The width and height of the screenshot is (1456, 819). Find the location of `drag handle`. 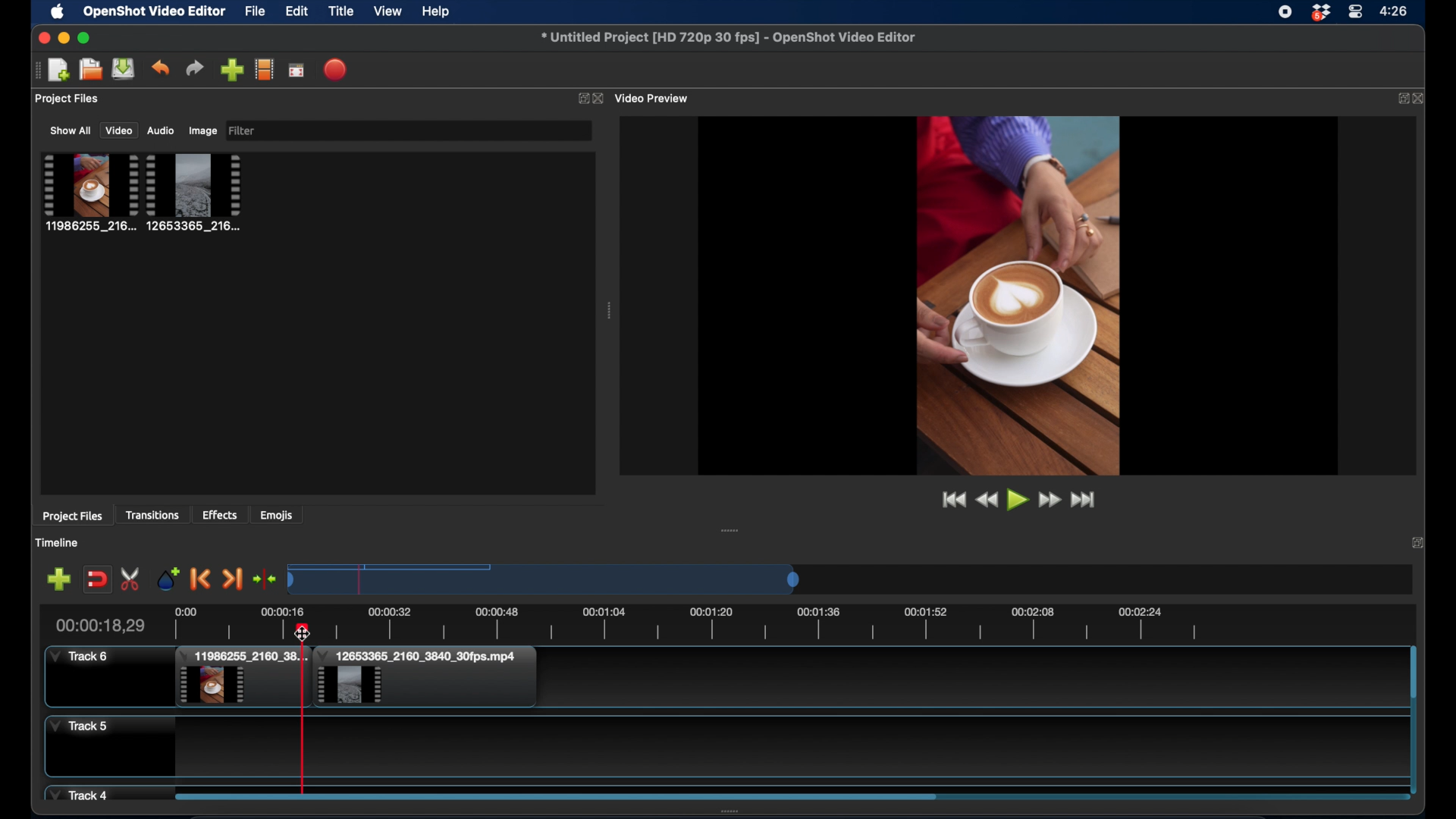

drag handle is located at coordinates (610, 311).